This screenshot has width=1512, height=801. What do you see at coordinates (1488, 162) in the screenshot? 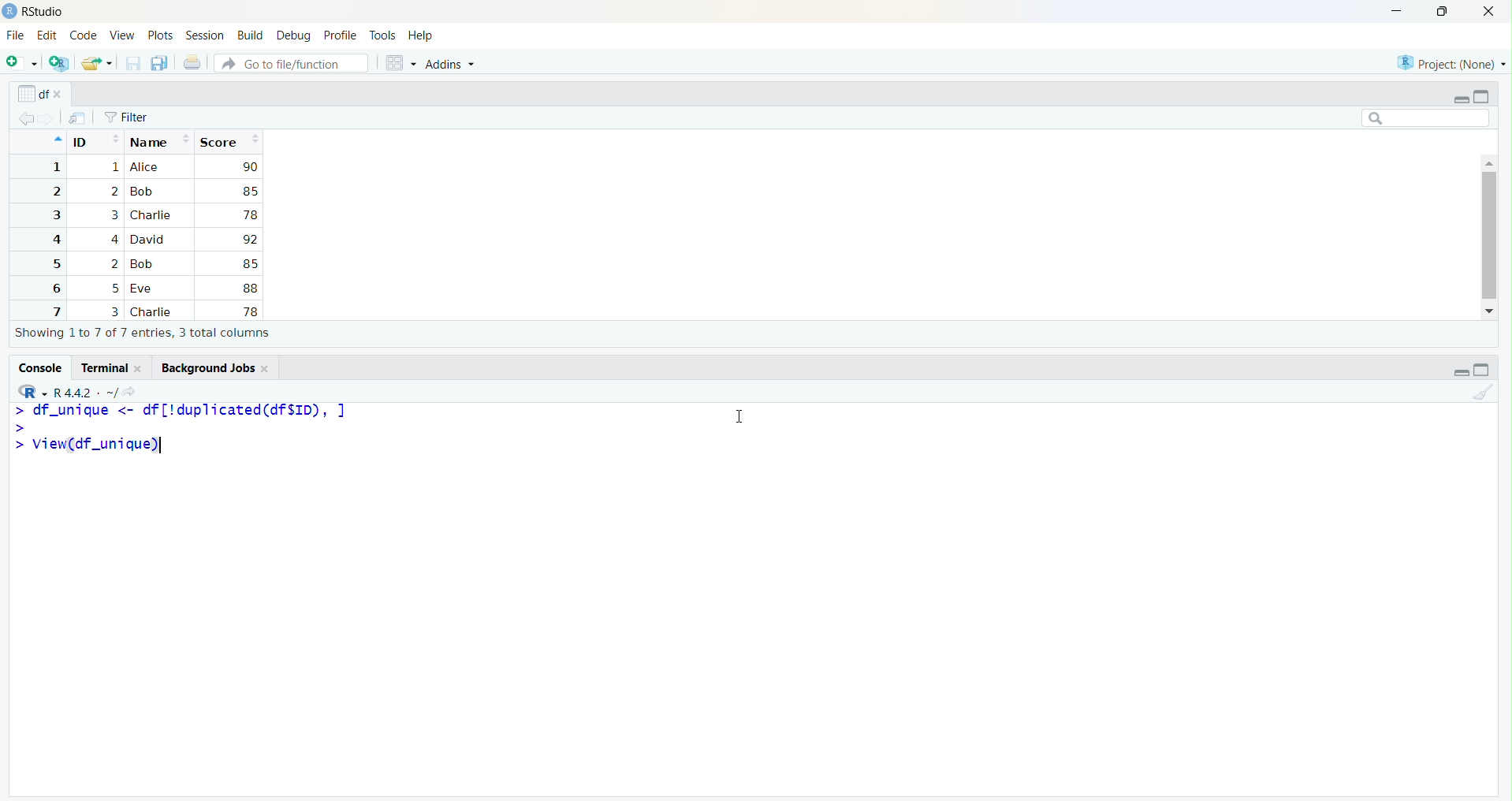
I see `scroll up` at bounding box center [1488, 162].